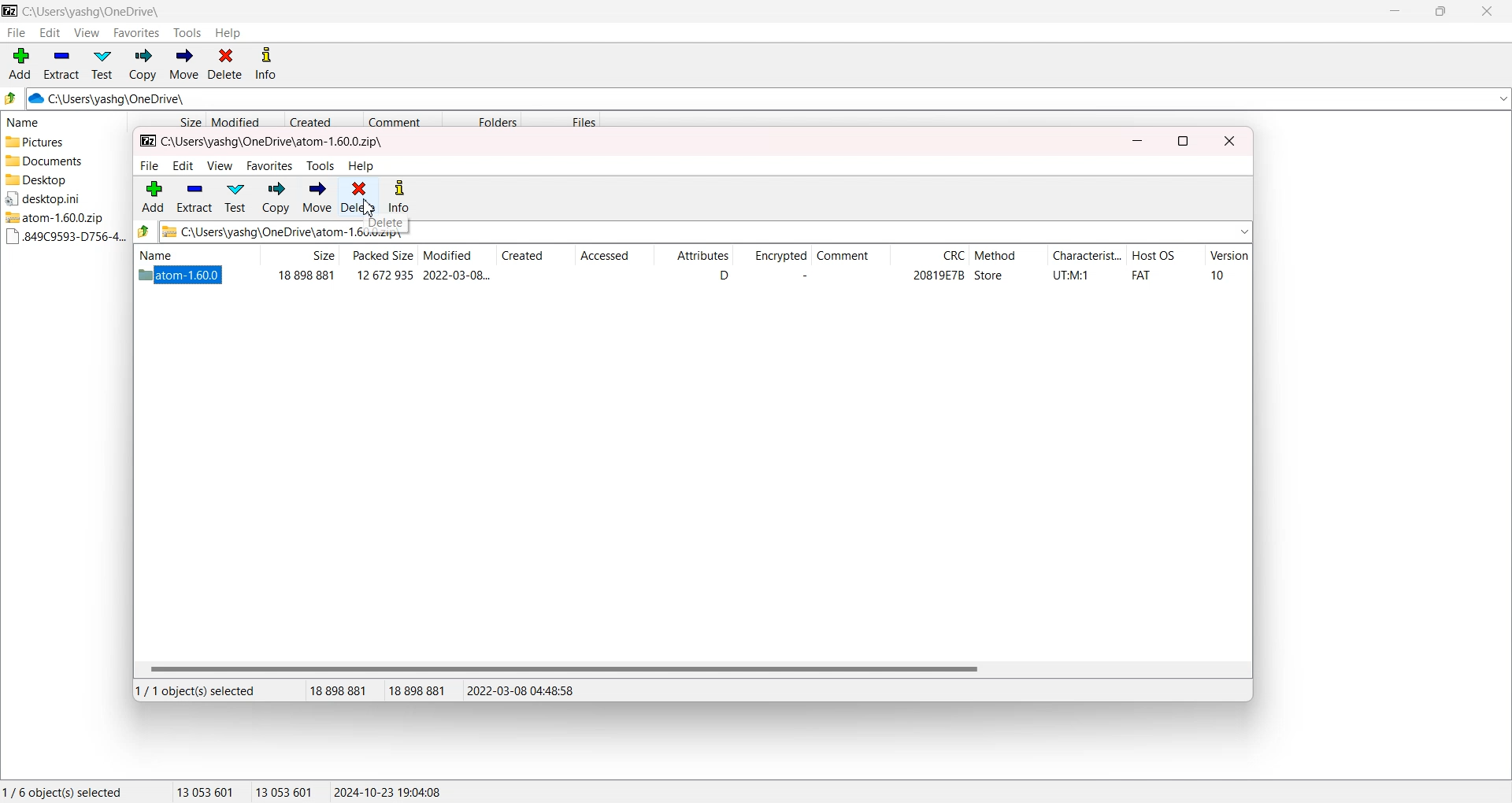  Describe the element at coordinates (801, 276) in the screenshot. I see `-` at that location.